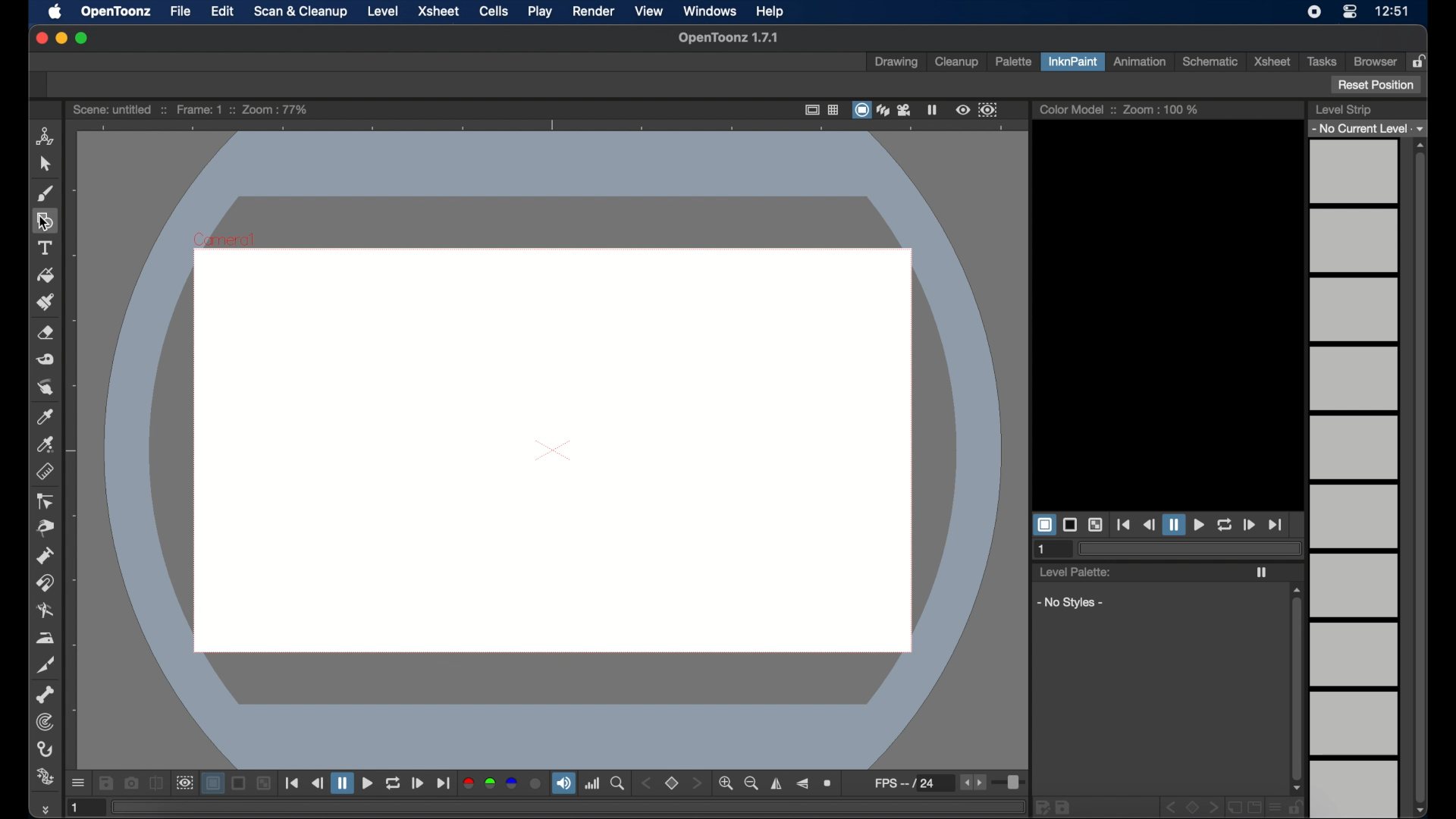  What do you see at coordinates (443, 783) in the screenshot?
I see `jump to end` at bounding box center [443, 783].